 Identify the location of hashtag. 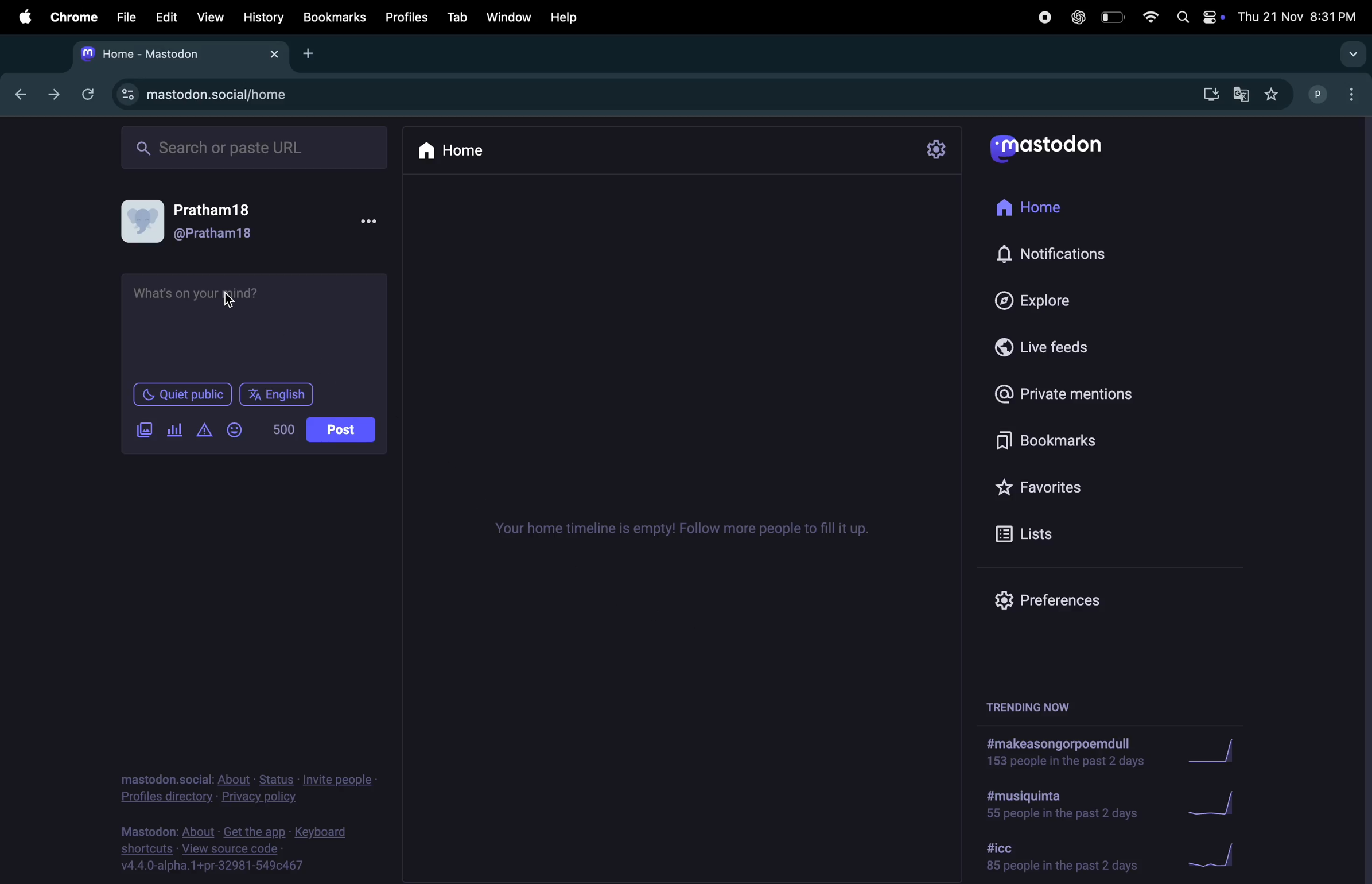
(1063, 750).